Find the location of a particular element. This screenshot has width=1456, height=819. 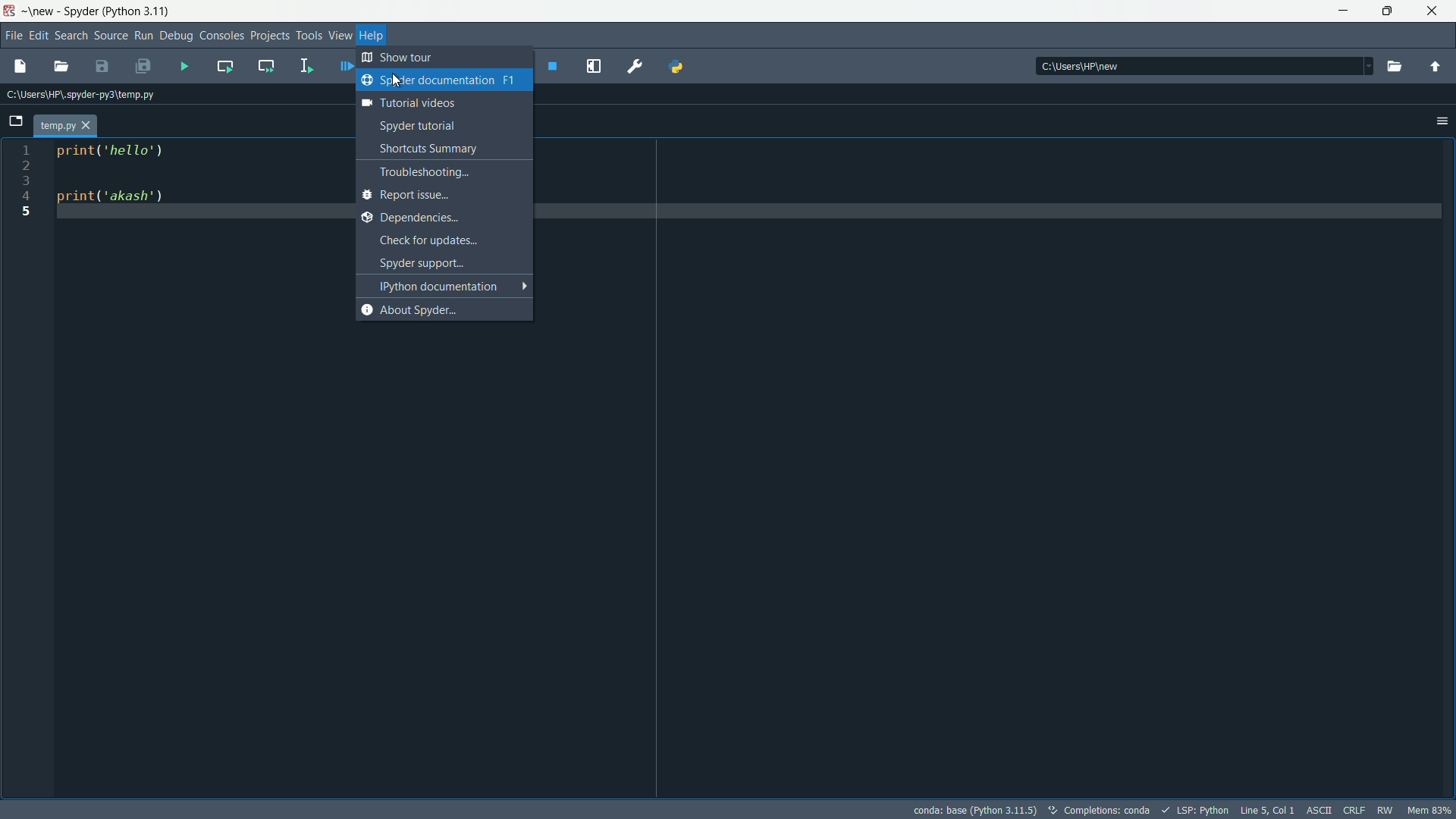

tutorial videos is located at coordinates (437, 102).